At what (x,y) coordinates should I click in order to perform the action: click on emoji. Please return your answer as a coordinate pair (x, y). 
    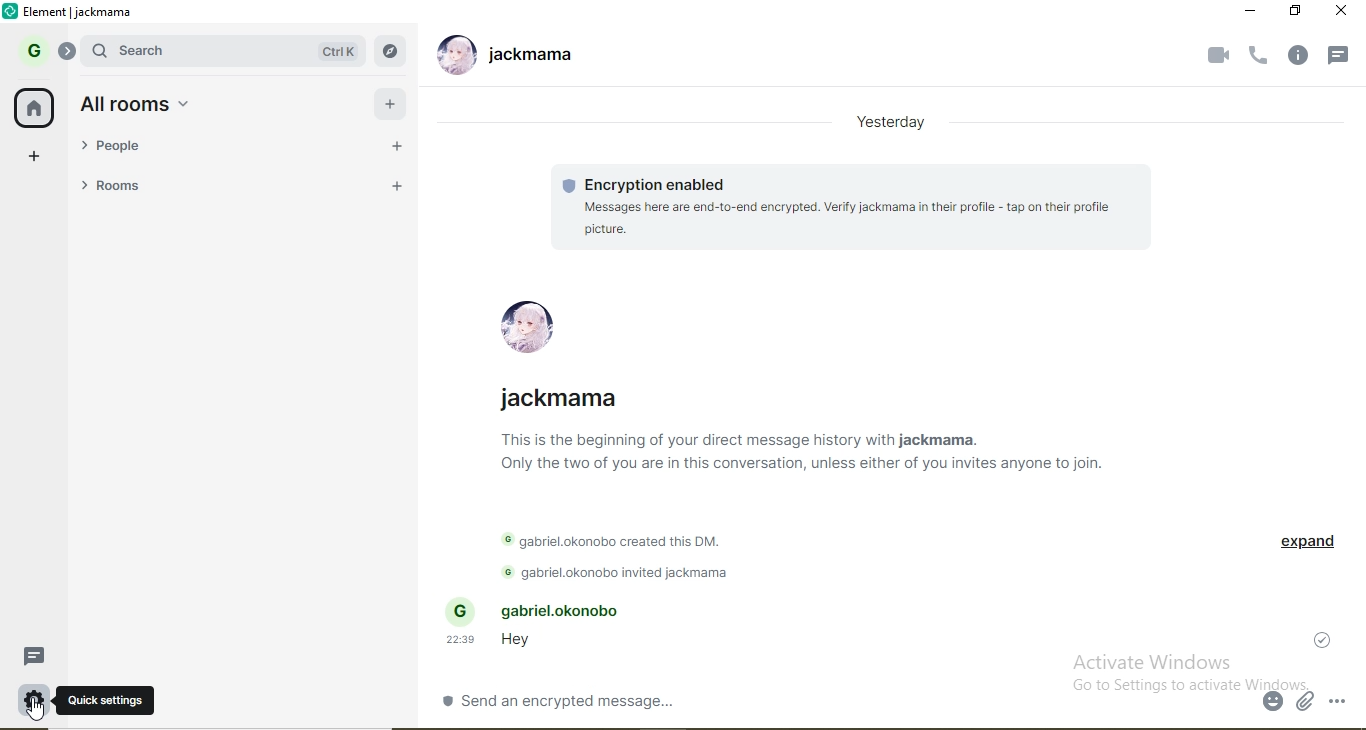
    Looking at the image, I should click on (1274, 703).